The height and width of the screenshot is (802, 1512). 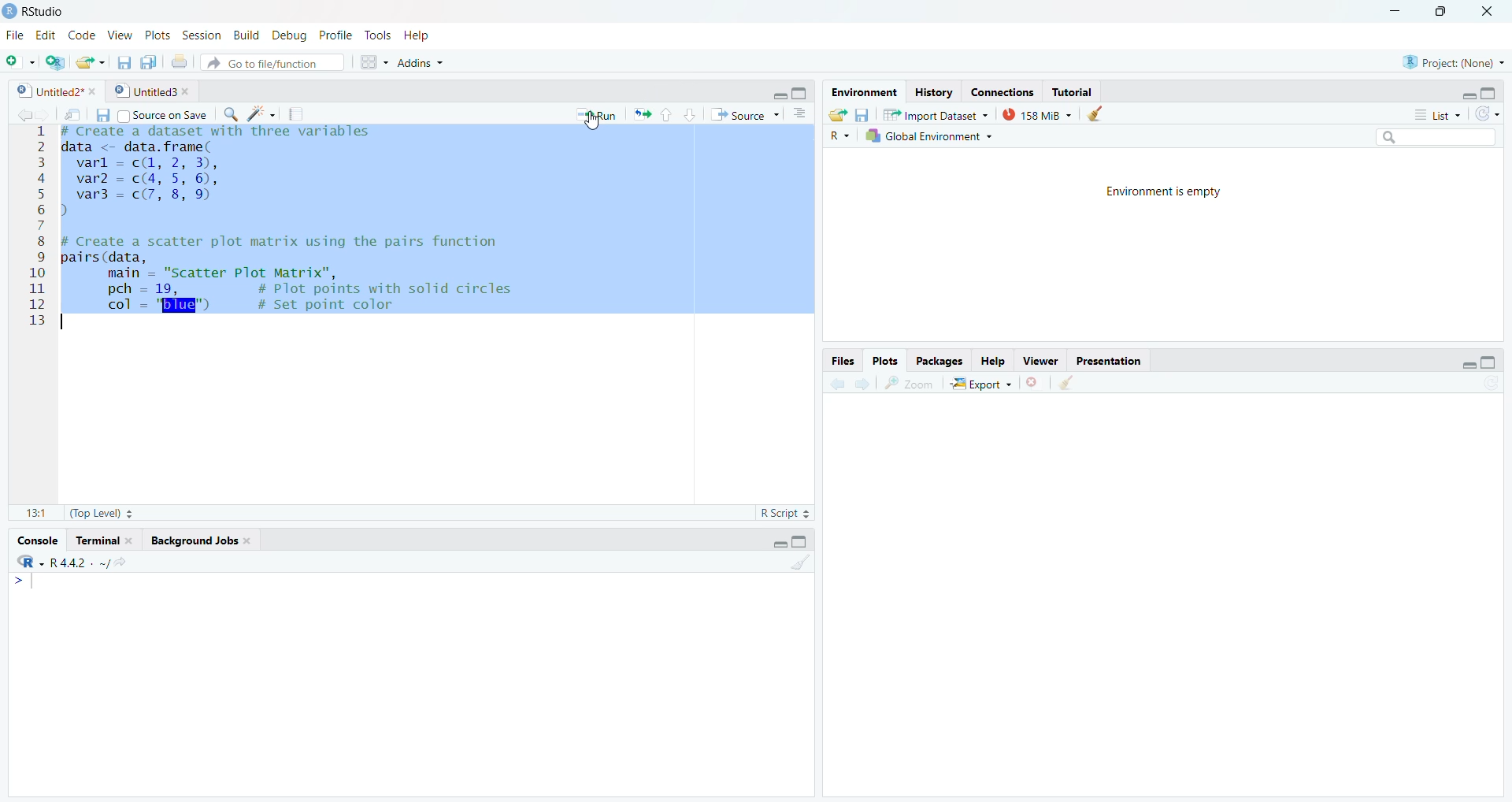 I want to click on + Source, so click(x=748, y=114).